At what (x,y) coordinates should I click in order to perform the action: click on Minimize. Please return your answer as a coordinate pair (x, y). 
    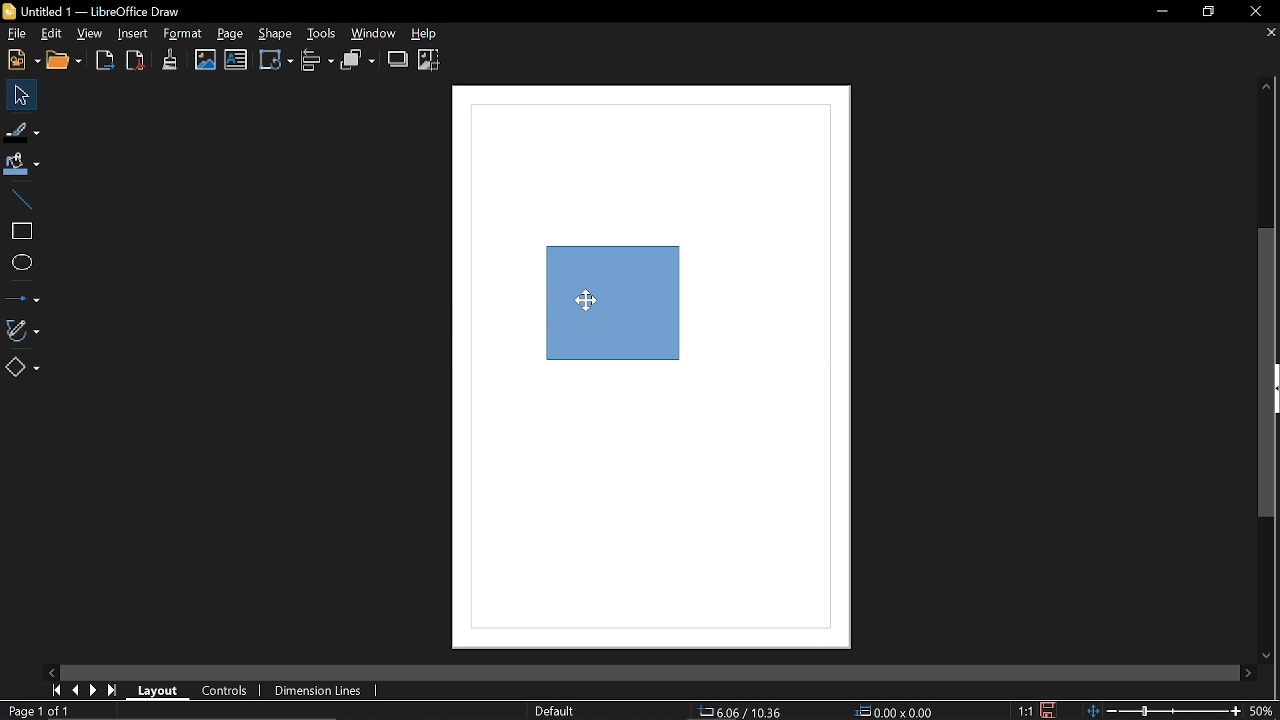
    Looking at the image, I should click on (1160, 11).